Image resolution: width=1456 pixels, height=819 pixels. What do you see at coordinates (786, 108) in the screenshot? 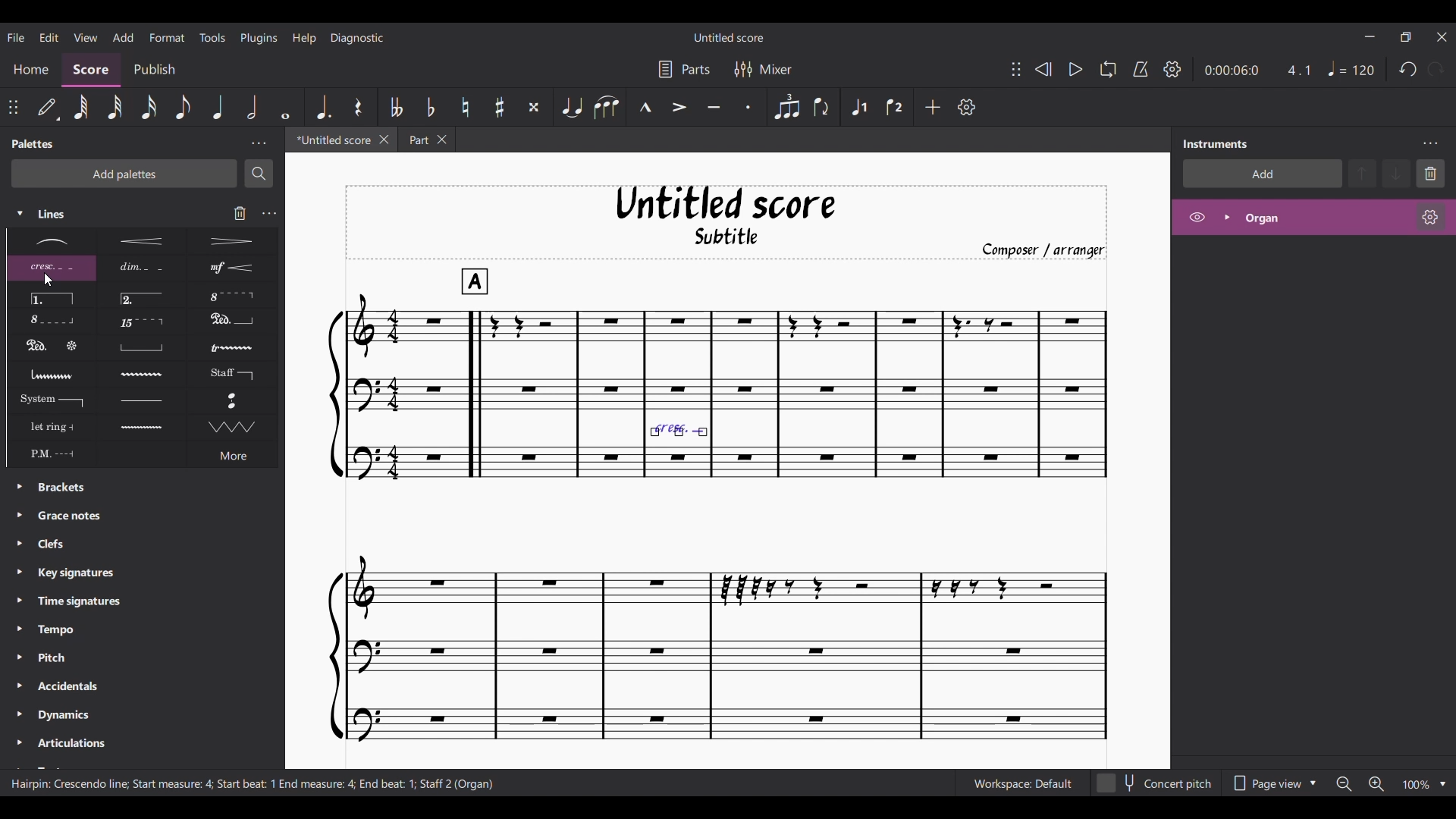
I see `Tuplet` at bounding box center [786, 108].